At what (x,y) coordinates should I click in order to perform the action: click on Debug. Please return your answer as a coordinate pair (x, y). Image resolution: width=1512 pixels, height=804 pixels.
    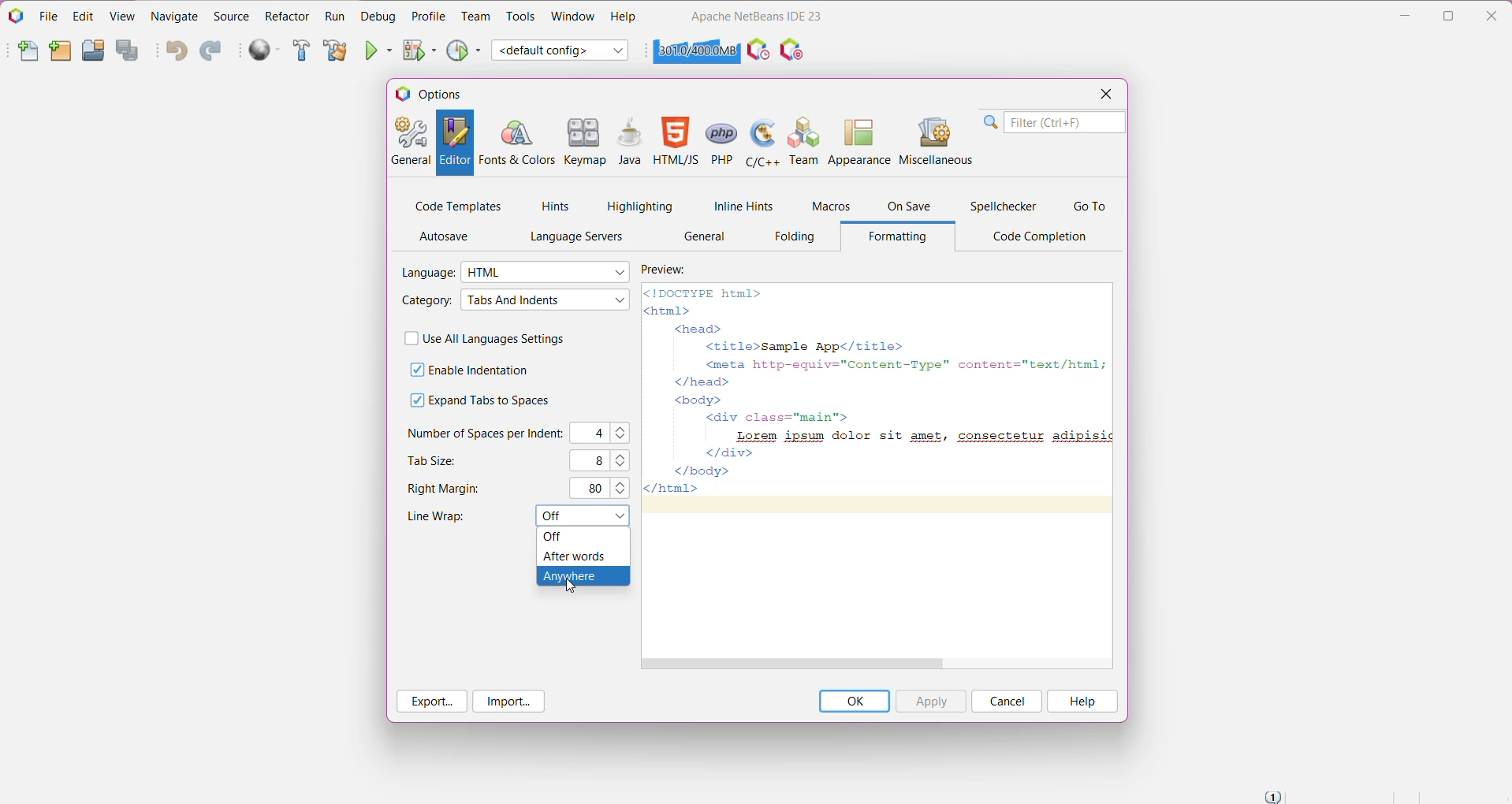
    Looking at the image, I should click on (377, 16).